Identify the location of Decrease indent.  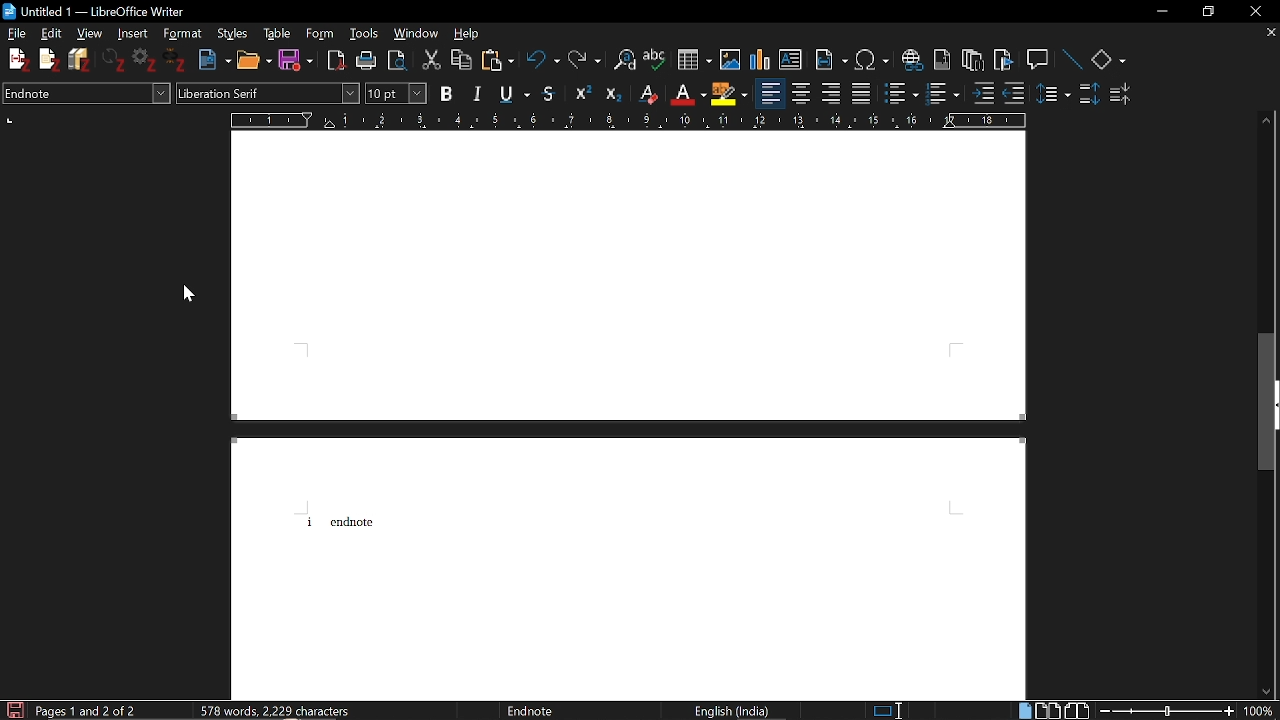
(1014, 95).